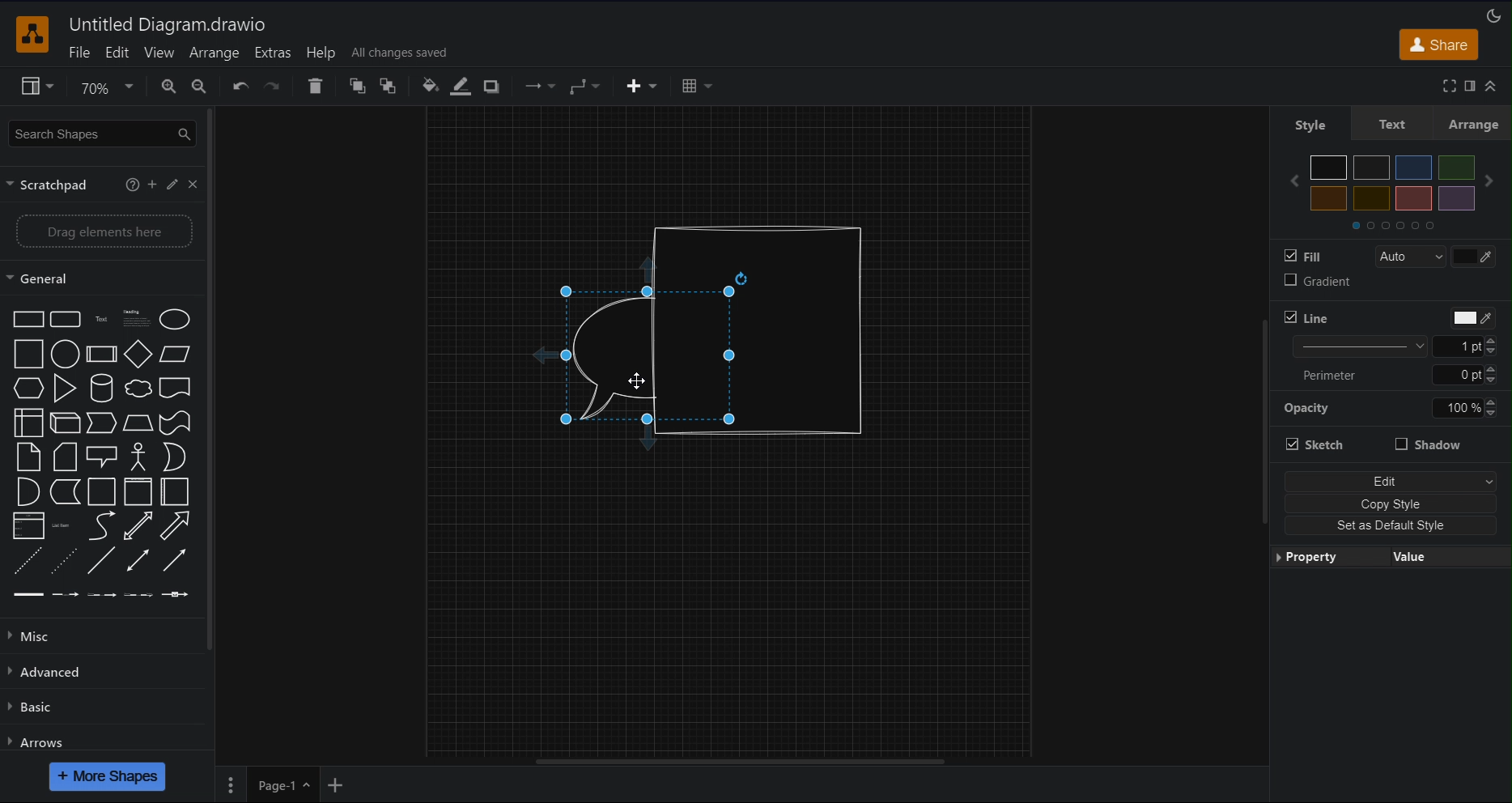 The image size is (1512, 803). I want to click on Increase/Decrease line thickness, so click(1491, 407).